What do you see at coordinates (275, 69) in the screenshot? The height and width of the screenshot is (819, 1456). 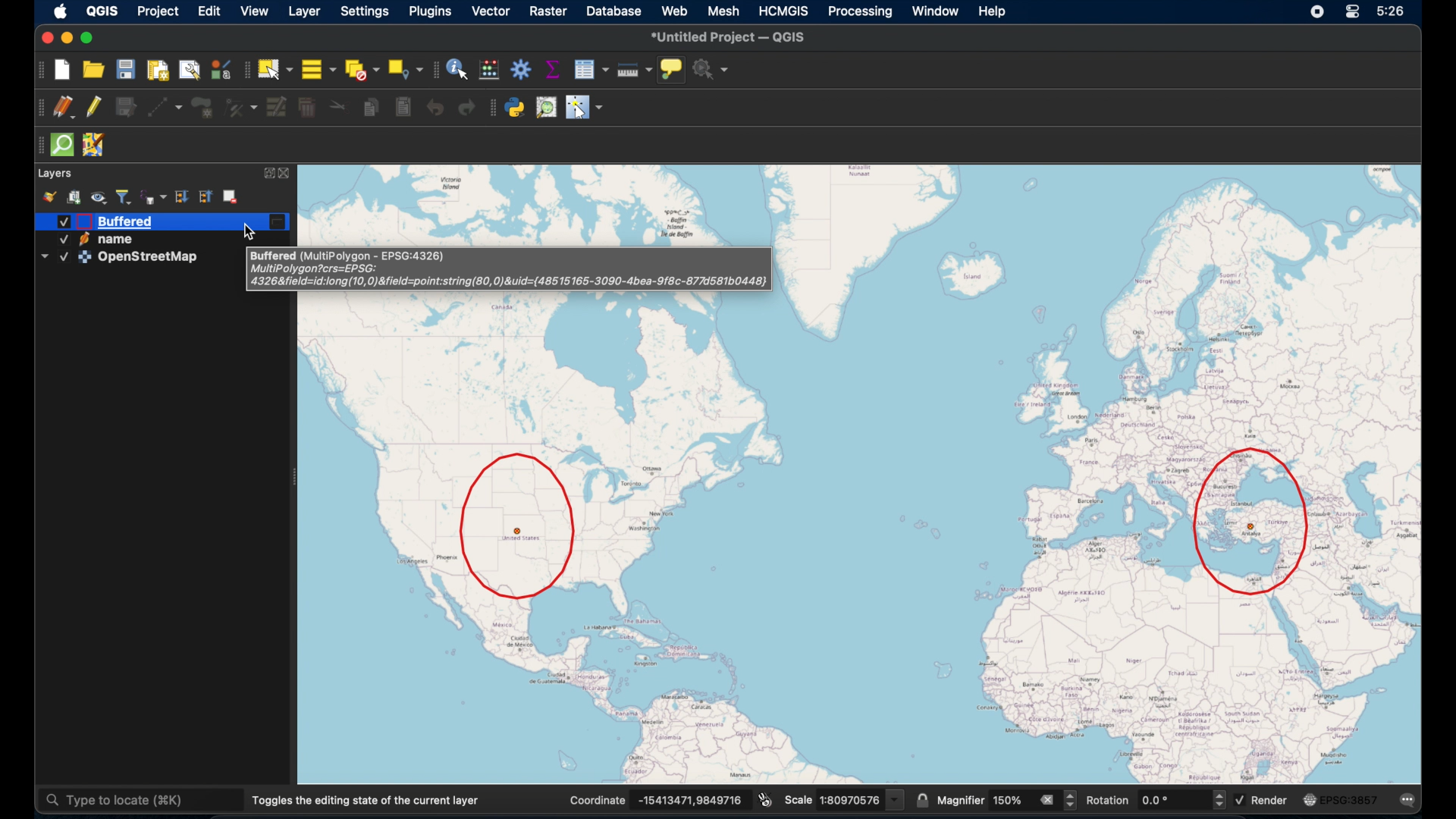 I see `select features by area or single click` at bounding box center [275, 69].